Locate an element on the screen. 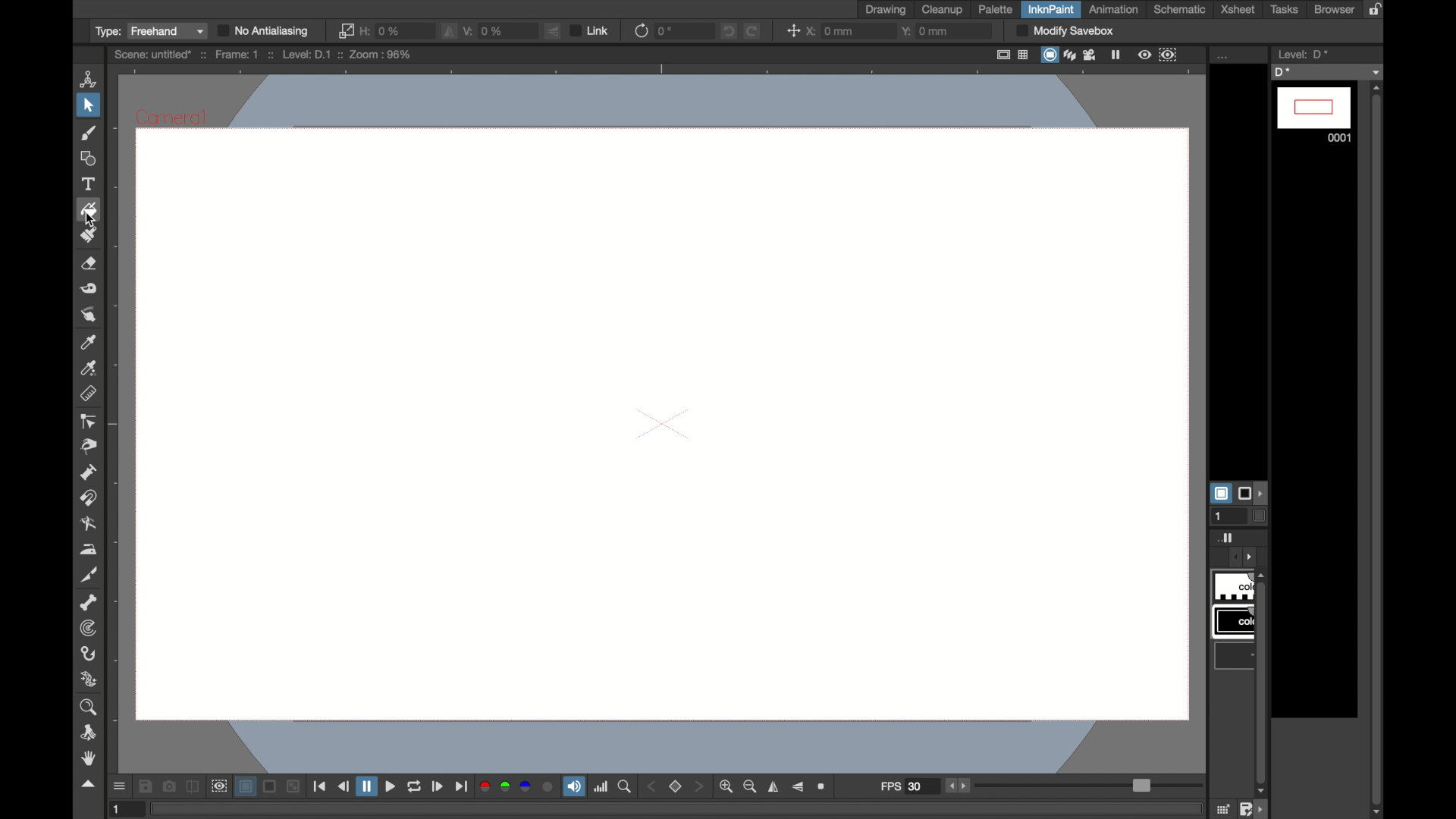 This screenshot has height=819, width=1456. zoom is located at coordinates (90, 707).